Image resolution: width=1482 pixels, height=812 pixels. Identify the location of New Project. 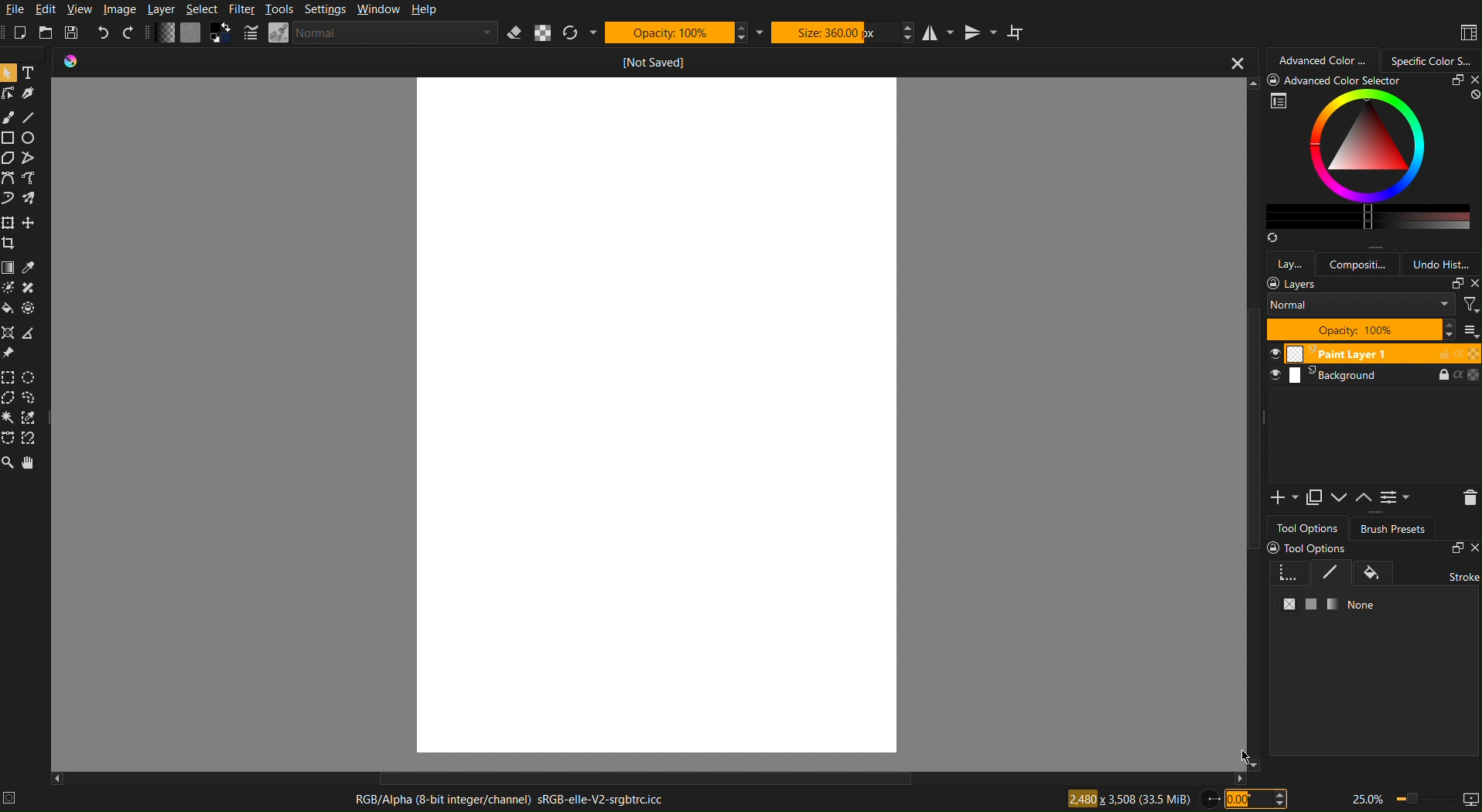
(19, 32).